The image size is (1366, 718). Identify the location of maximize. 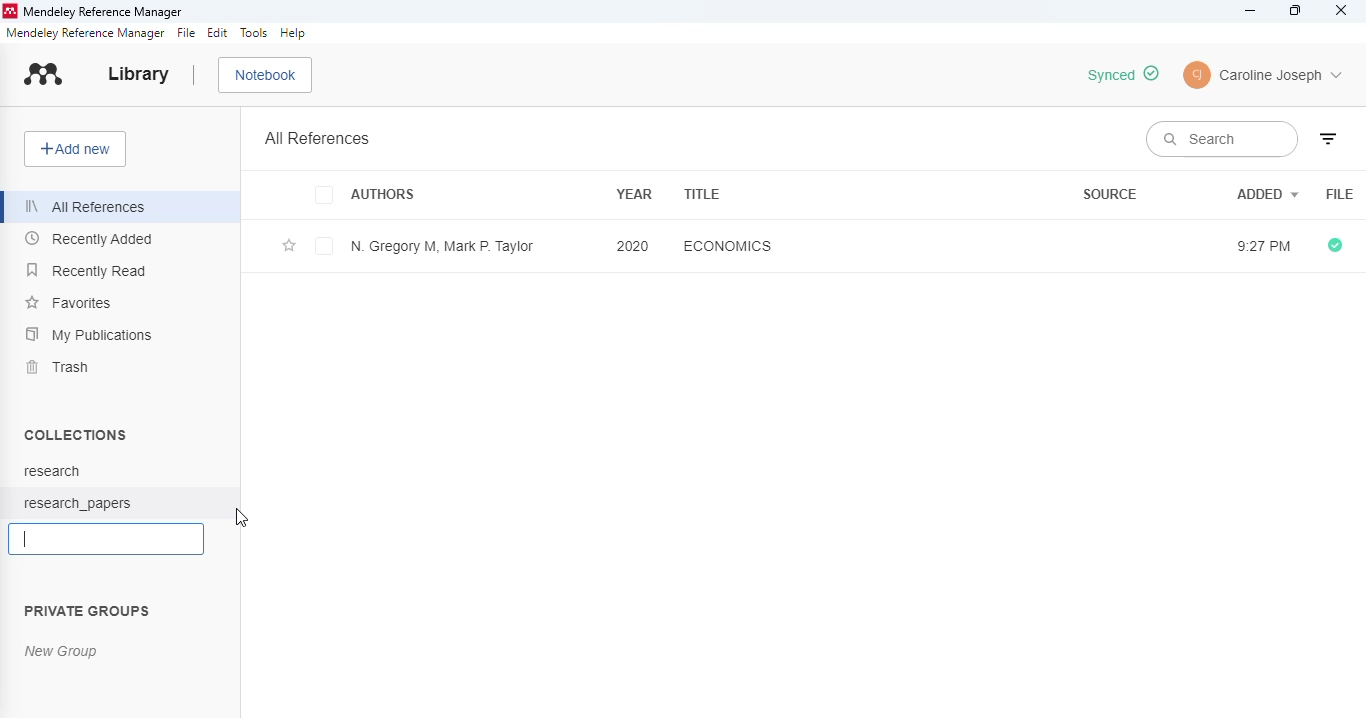
(1296, 11).